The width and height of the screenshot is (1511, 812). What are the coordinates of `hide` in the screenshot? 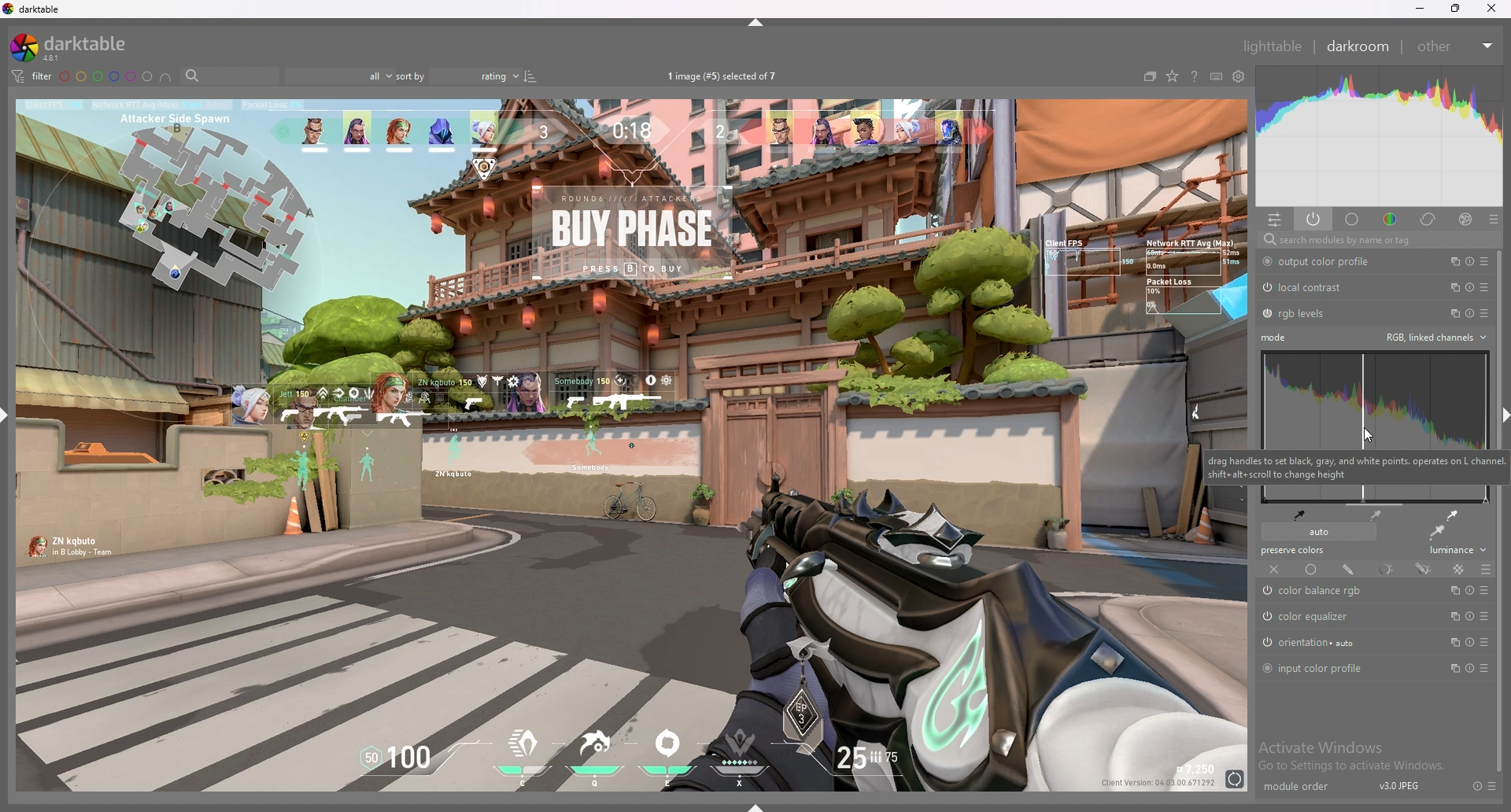 It's located at (756, 22).